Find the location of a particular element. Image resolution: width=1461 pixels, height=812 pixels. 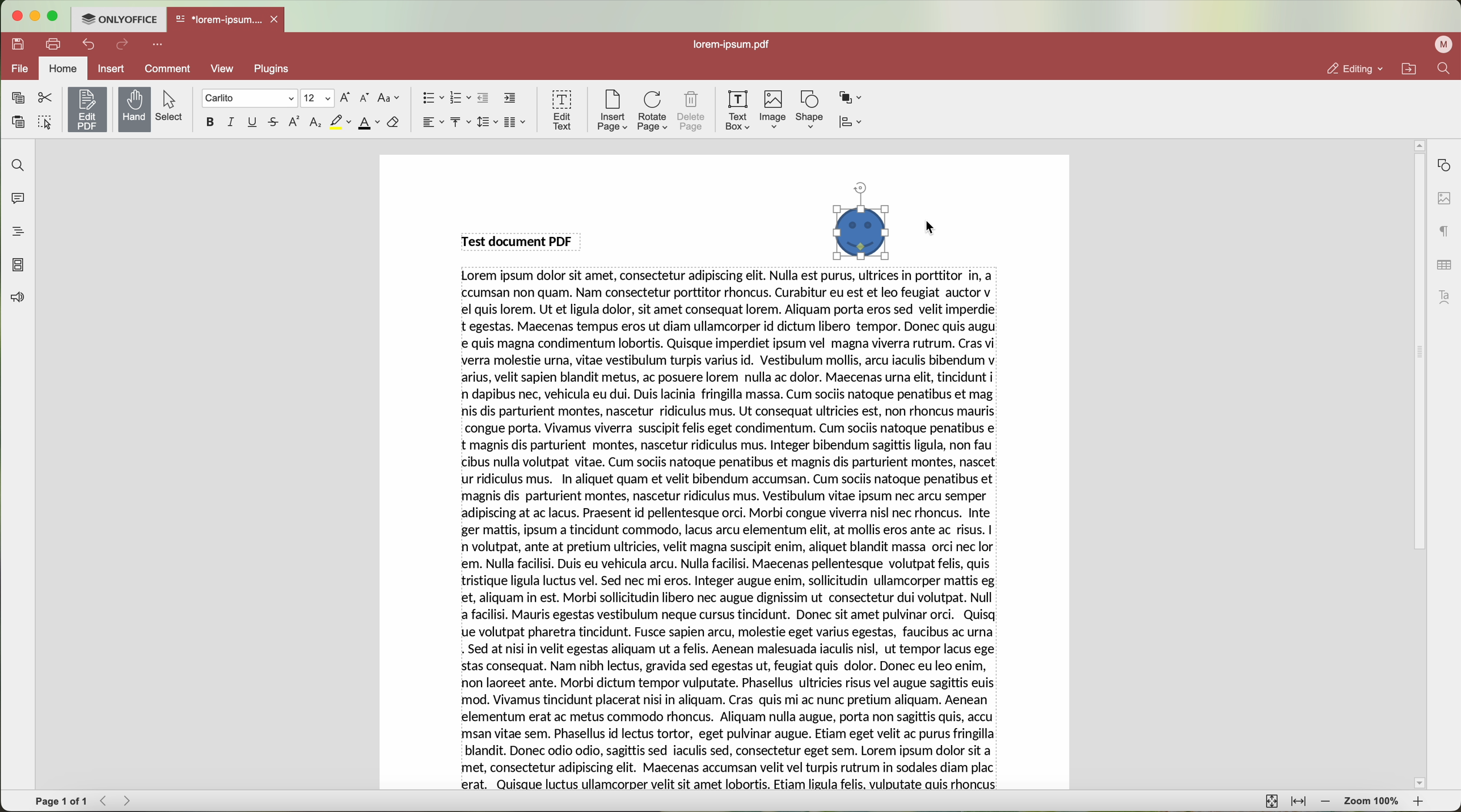

paste is located at coordinates (19, 122).